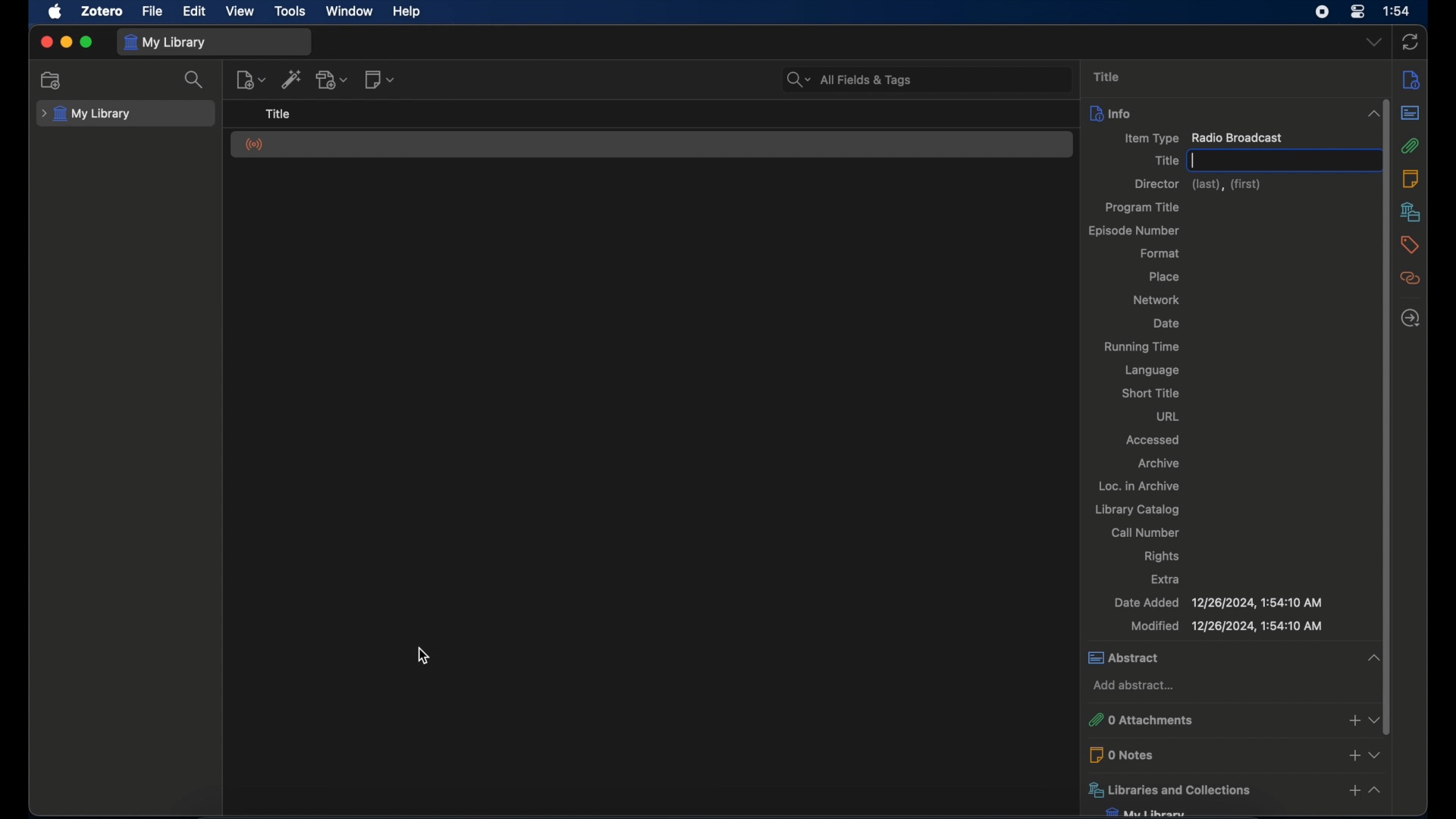 This screenshot has width=1456, height=819. What do you see at coordinates (381, 79) in the screenshot?
I see `new note` at bounding box center [381, 79].